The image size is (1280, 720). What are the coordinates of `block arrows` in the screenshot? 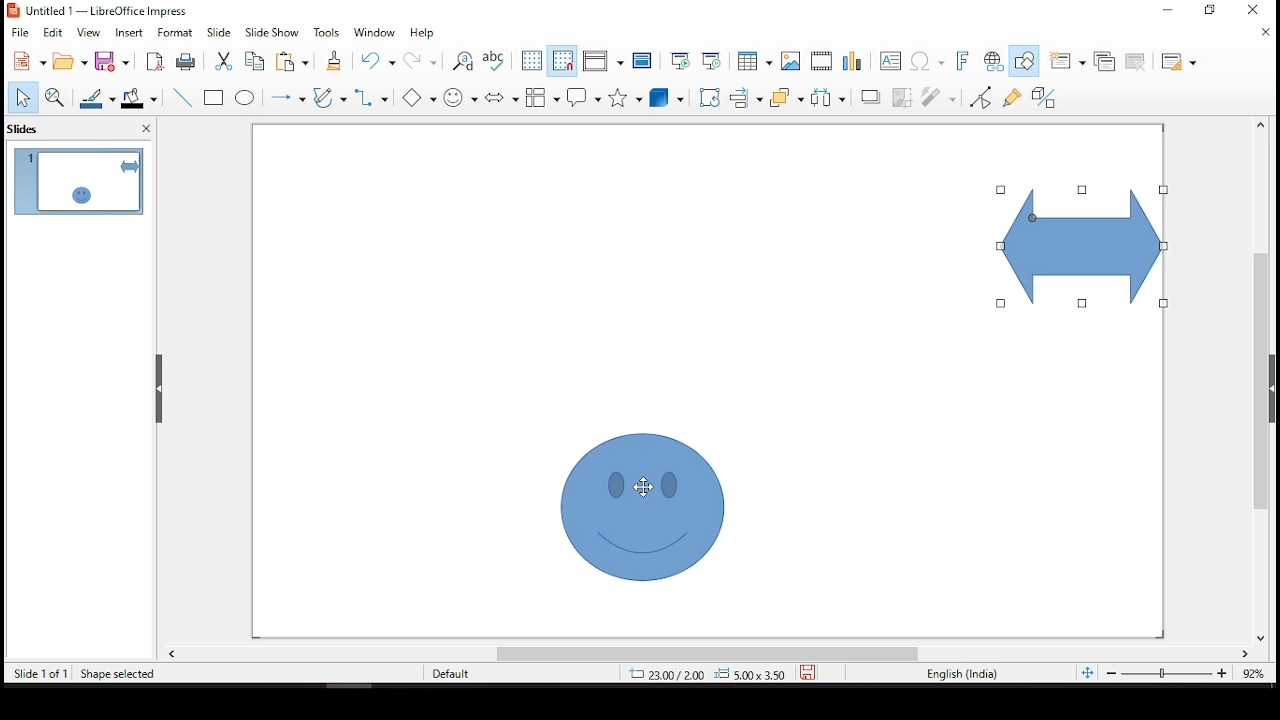 It's located at (500, 94).